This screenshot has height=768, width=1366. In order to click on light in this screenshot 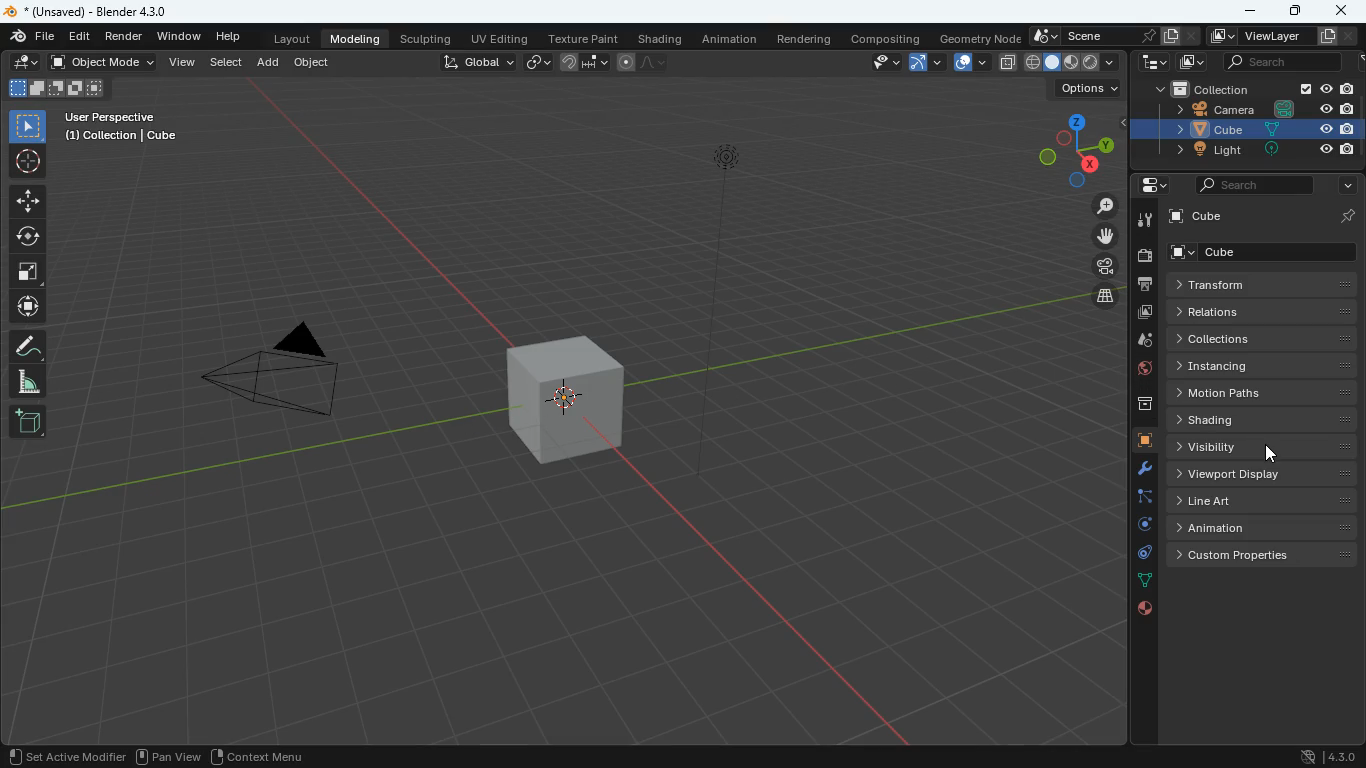, I will do `click(742, 258)`.